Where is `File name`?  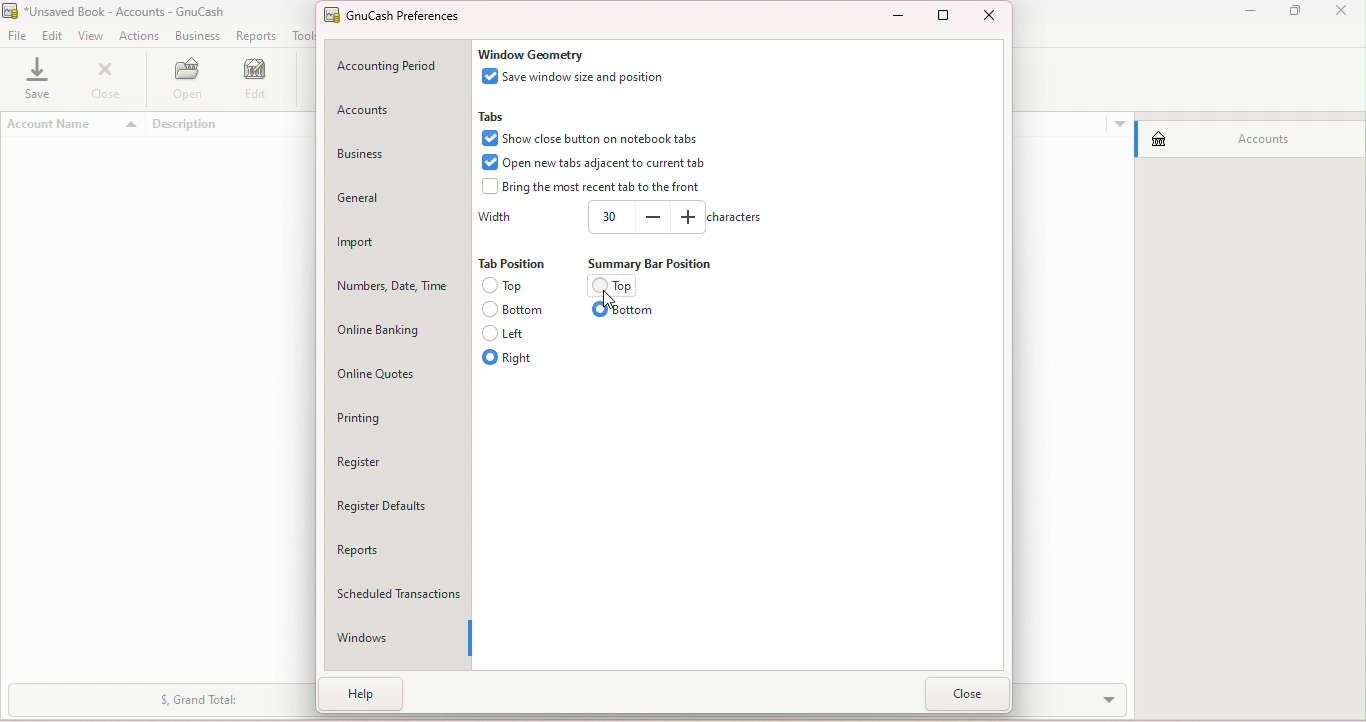 File name is located at coordinates (126, 12).